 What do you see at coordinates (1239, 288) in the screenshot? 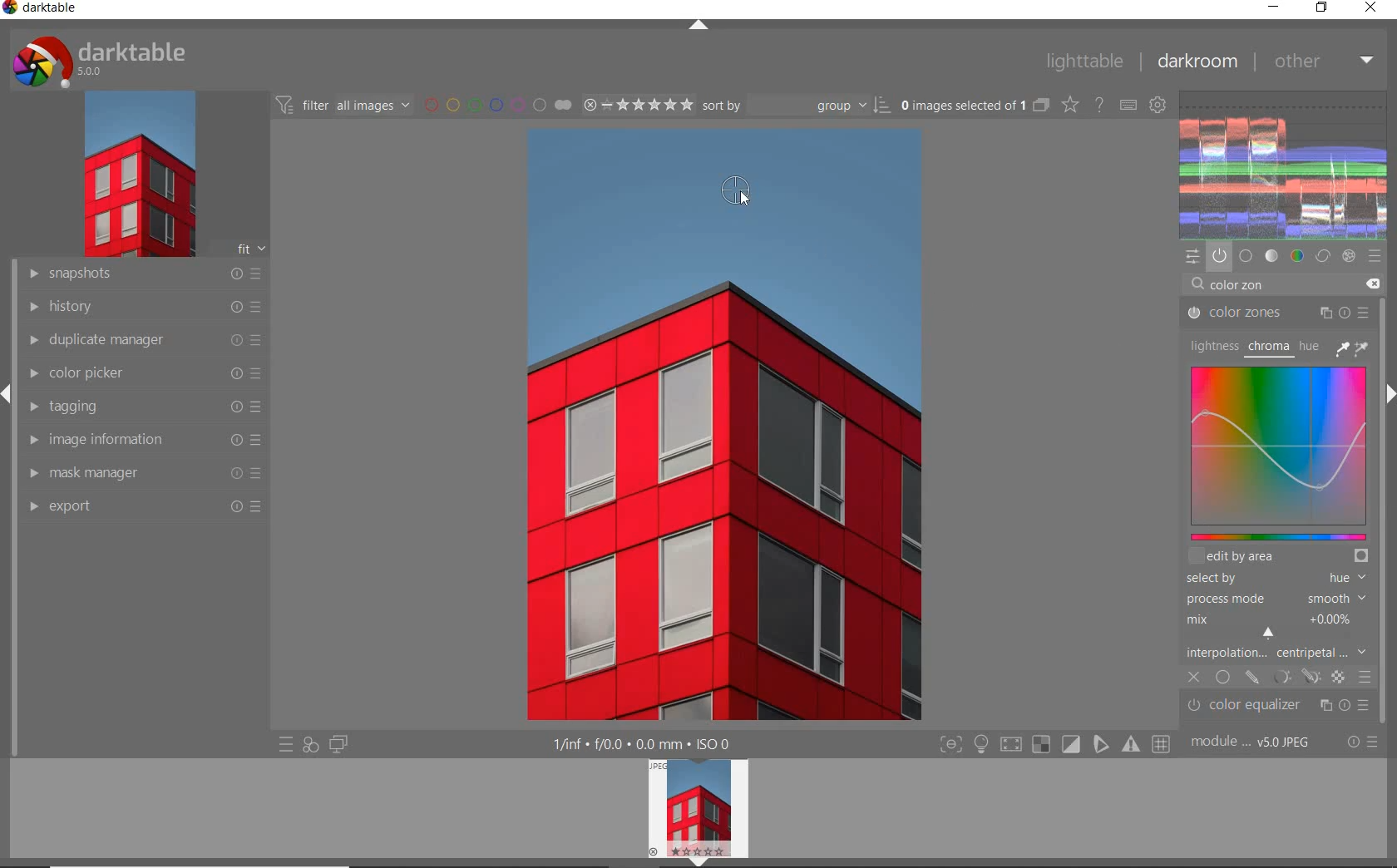
I see `INPUT VALUE` at bounding box center [1239, 288].